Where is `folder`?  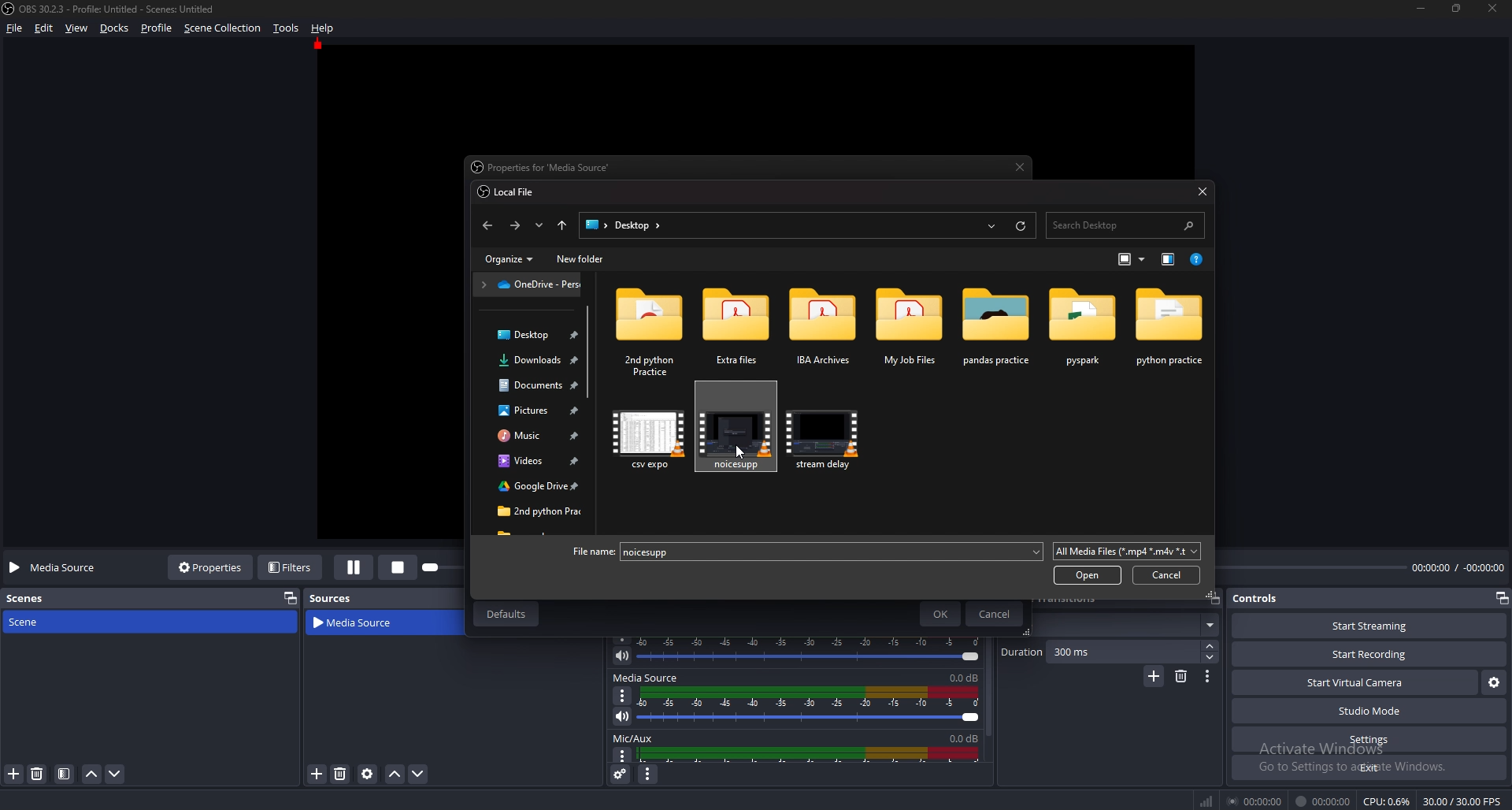 folder is located at coordinates (737, 331).